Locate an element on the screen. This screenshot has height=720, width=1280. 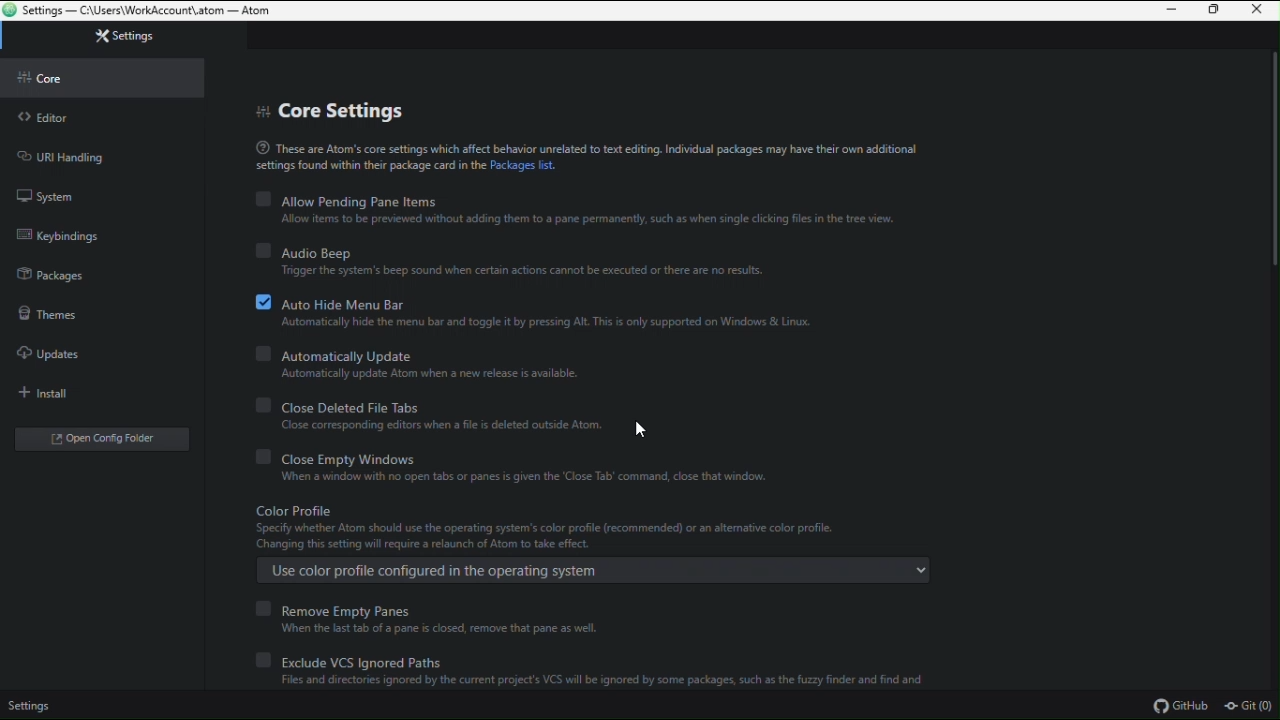
Color profile Specify whether Atom should use the operating system's color profile (recommended) or an alternative color profile. Changing this setting will require a relaunch of Atom to take effect. is located at coordinates (556, 523).